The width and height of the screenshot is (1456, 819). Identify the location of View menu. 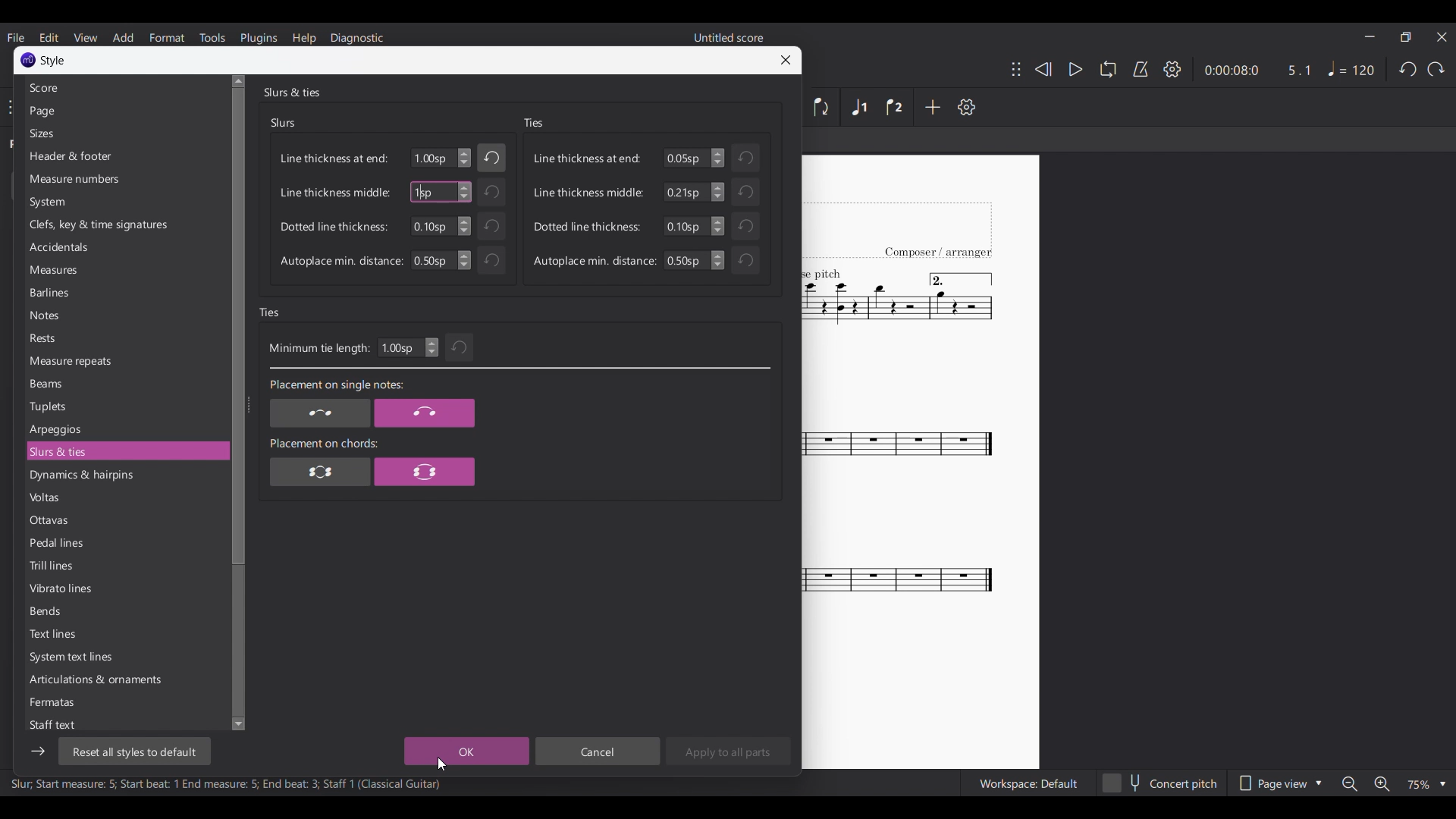
(86, 37).